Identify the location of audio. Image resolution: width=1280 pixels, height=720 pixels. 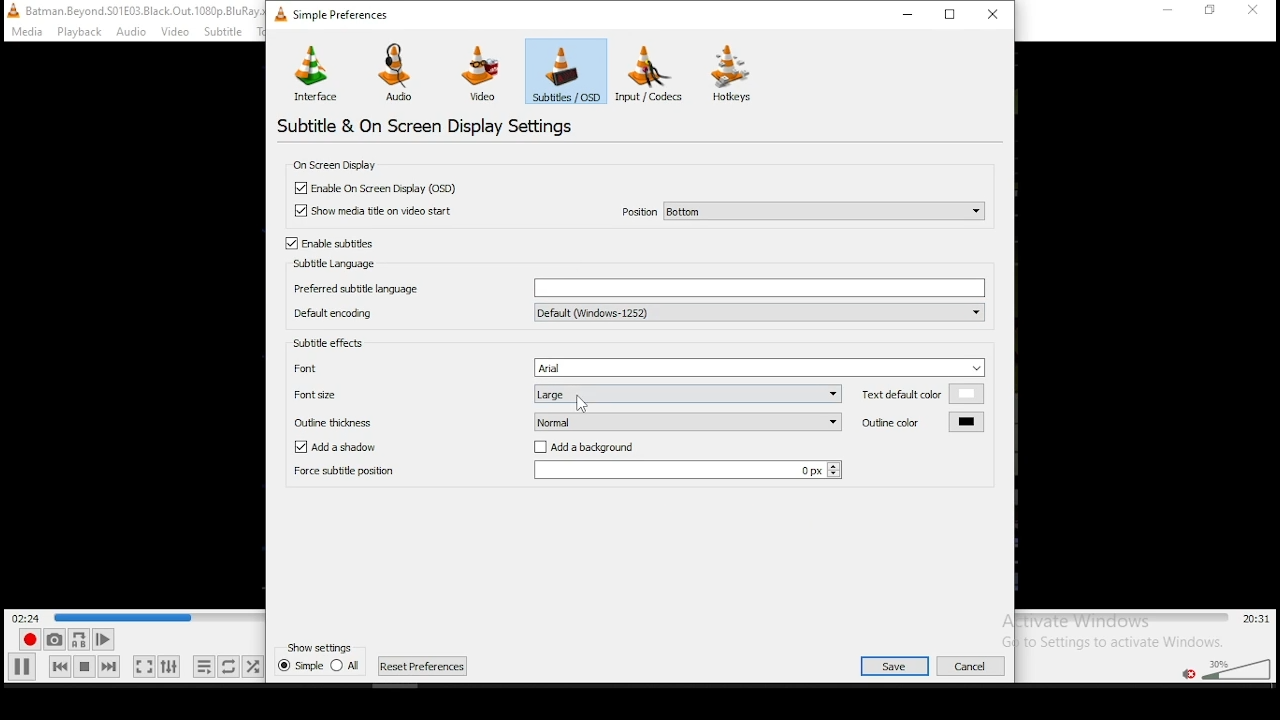
(402, 74).